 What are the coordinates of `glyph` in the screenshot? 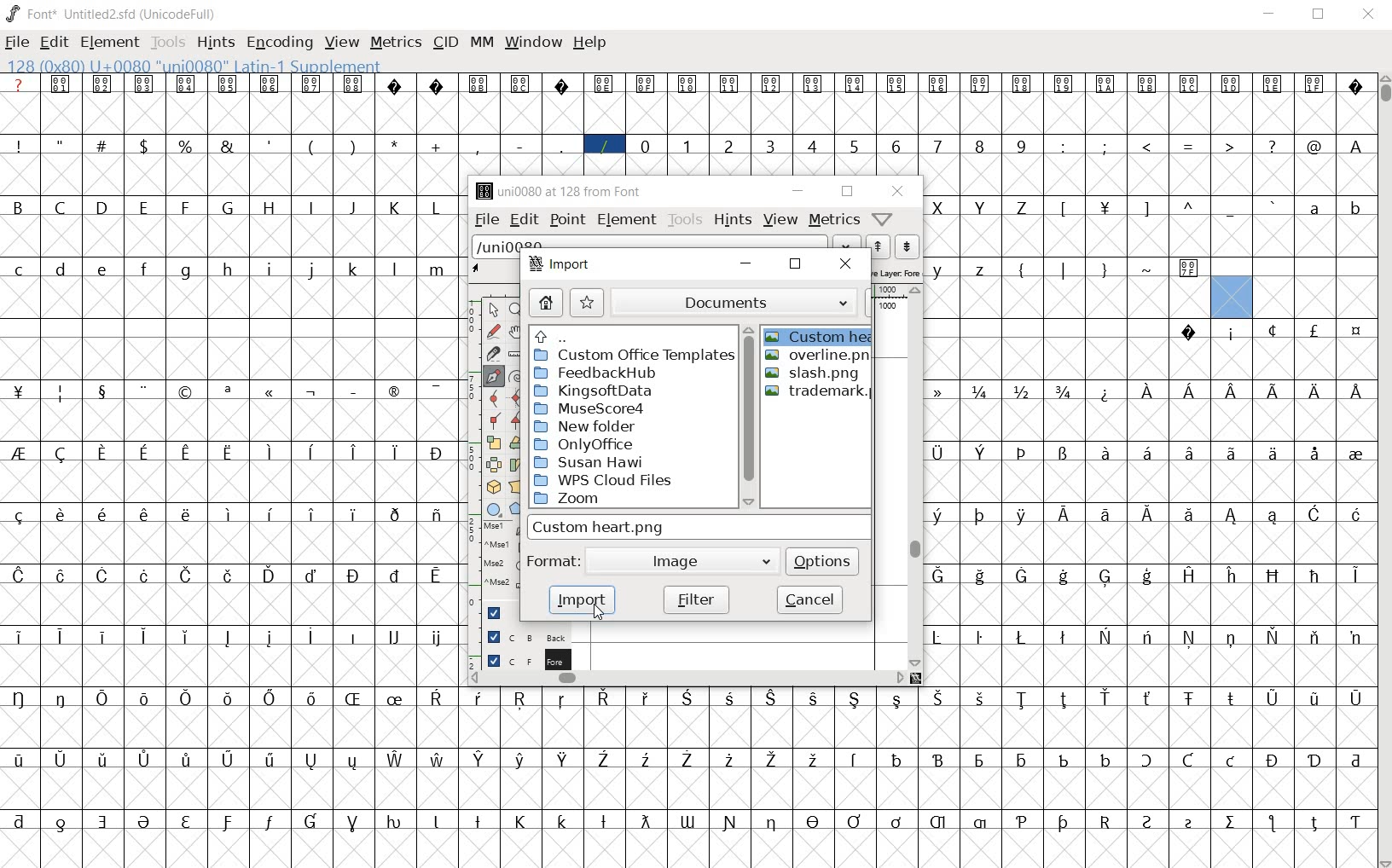 It's located at (936, 516).